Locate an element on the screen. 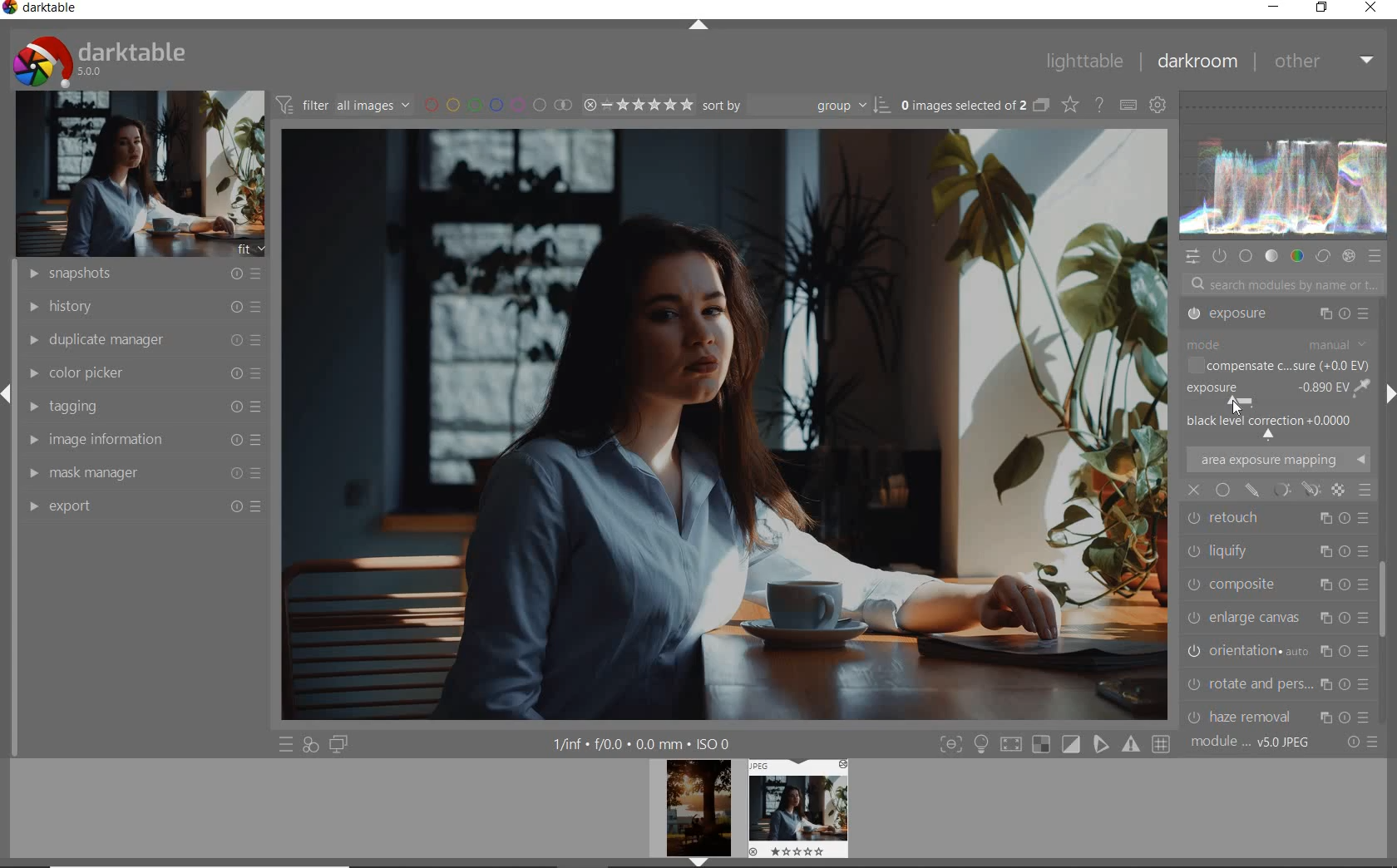 The width and height of the screenshot is (1397, 868). OTHER is located at coordinates (1325, 64).